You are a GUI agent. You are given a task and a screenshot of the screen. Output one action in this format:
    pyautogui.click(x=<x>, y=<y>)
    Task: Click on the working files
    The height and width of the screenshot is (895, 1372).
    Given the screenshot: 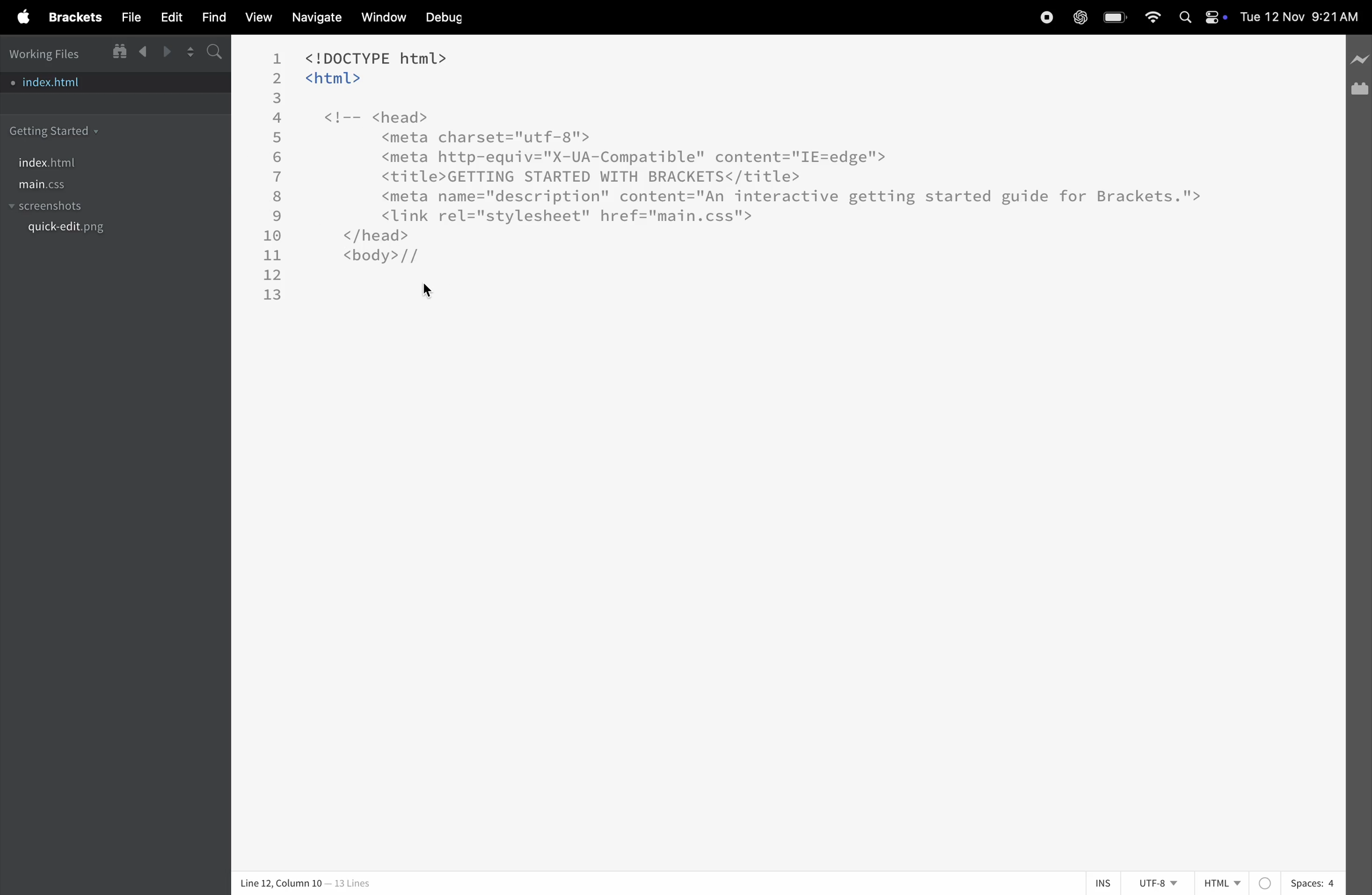 What is the action you would take?
    pyautogui.click(x=51, y=52)
    